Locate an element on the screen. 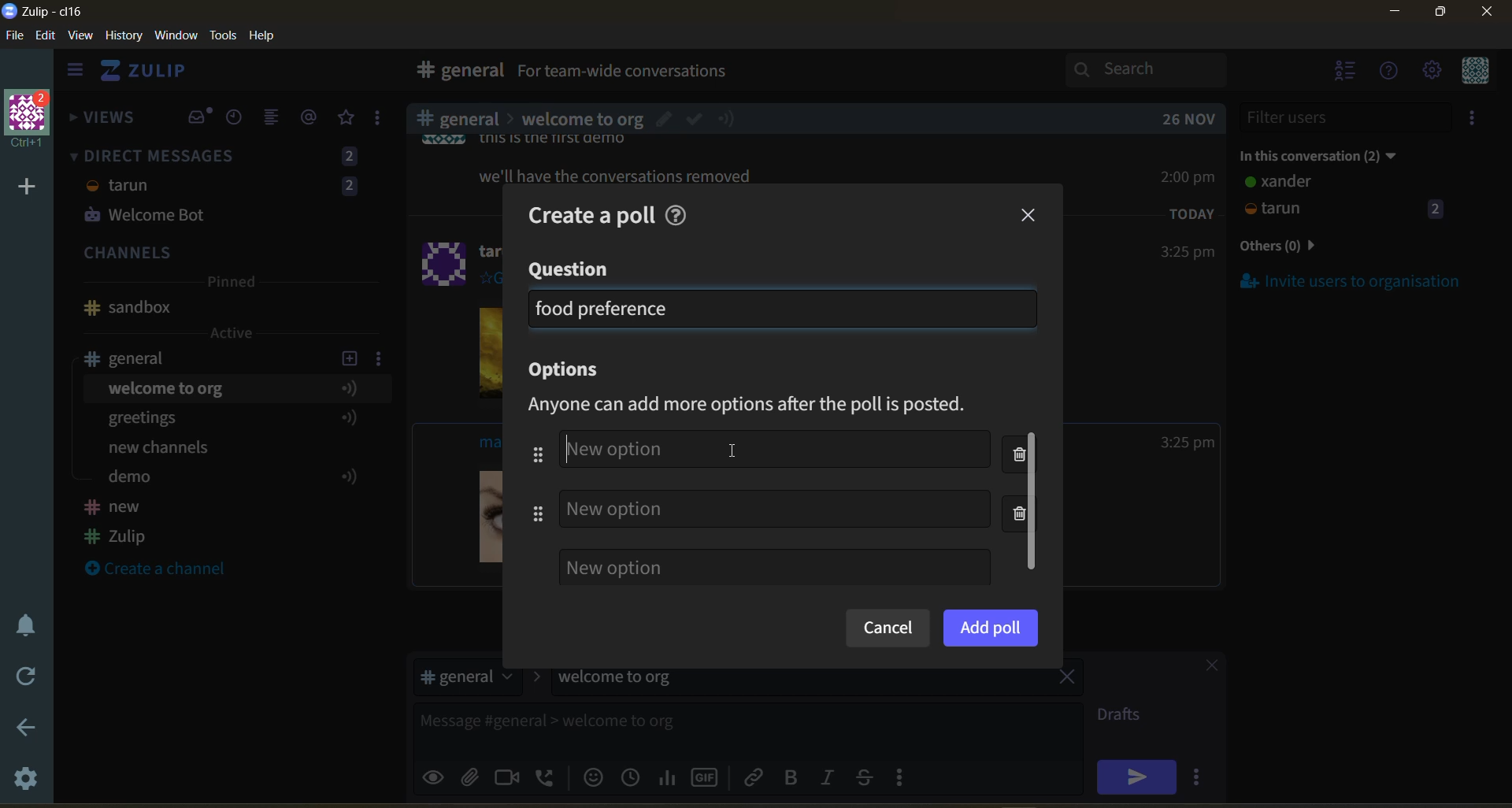 This screenshot has width=1512, height=808. Channel name is located at coordinates (128, 308).